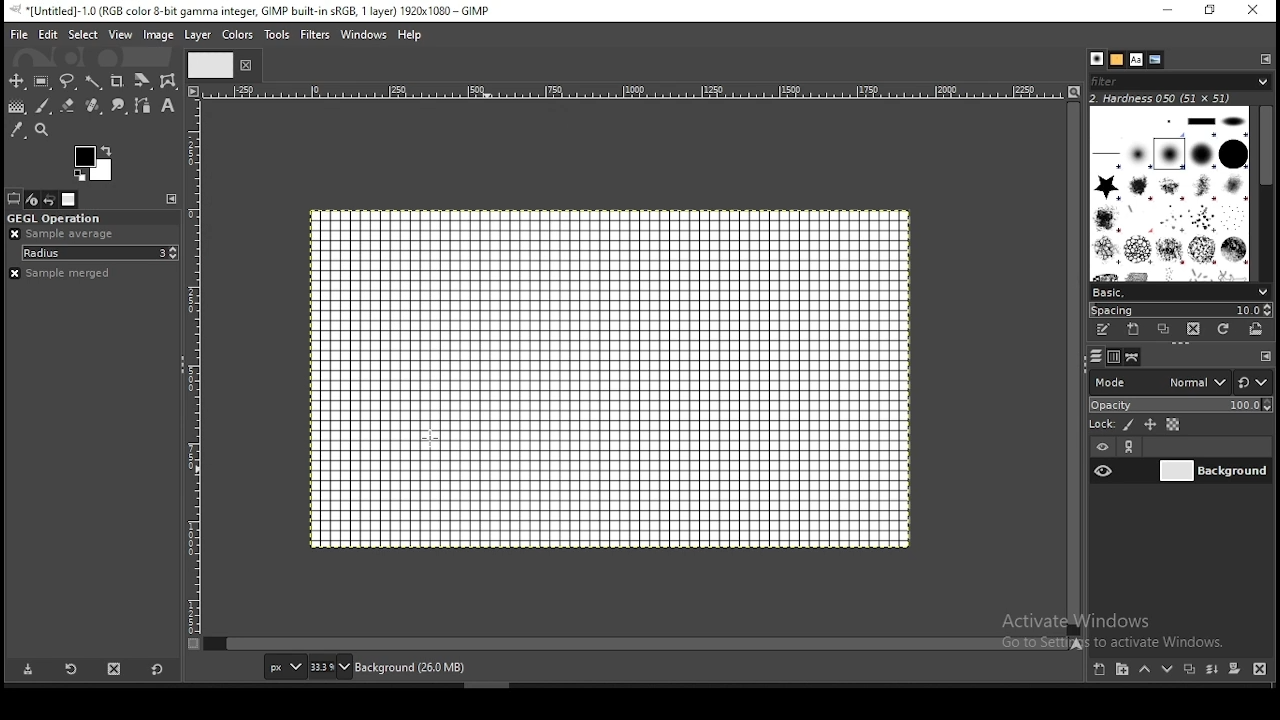  Describe the element at coordinates (1189, 672) in the screenshot. I see `duplicate layer` at that location.